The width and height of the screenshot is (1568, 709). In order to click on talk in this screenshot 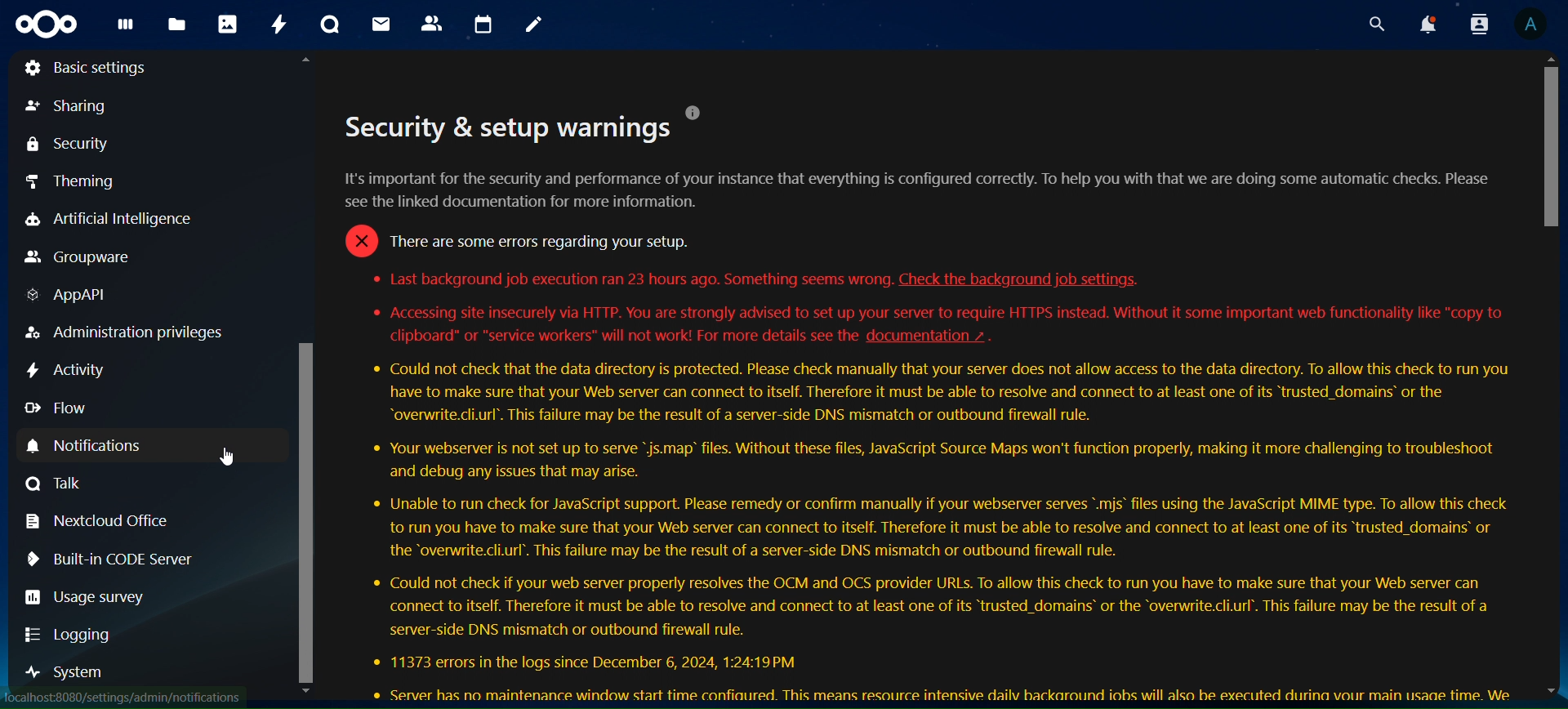, I will do `click(327, 26)`.